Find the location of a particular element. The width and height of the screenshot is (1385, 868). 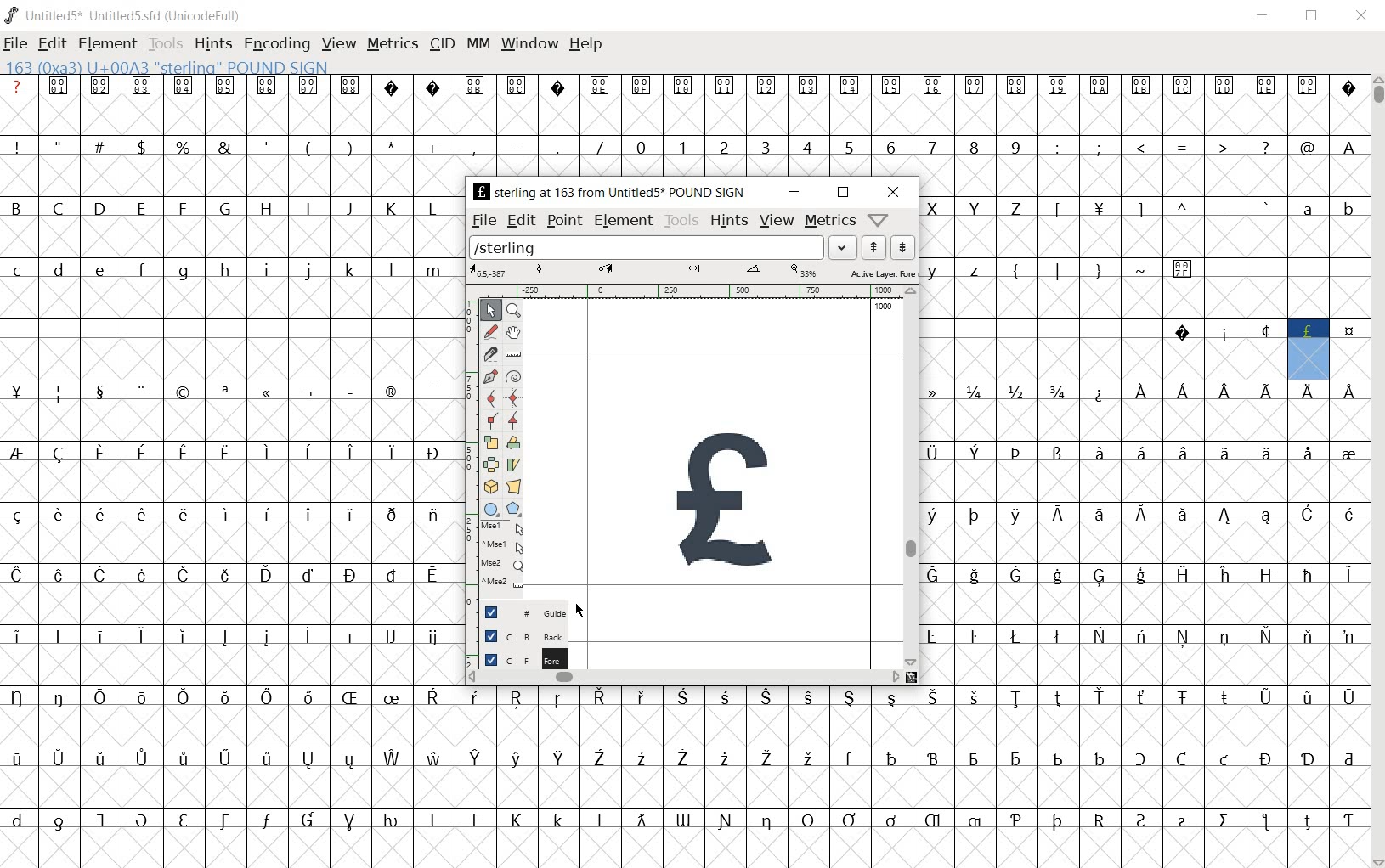

Symbol is located at coordinates (225, 514).